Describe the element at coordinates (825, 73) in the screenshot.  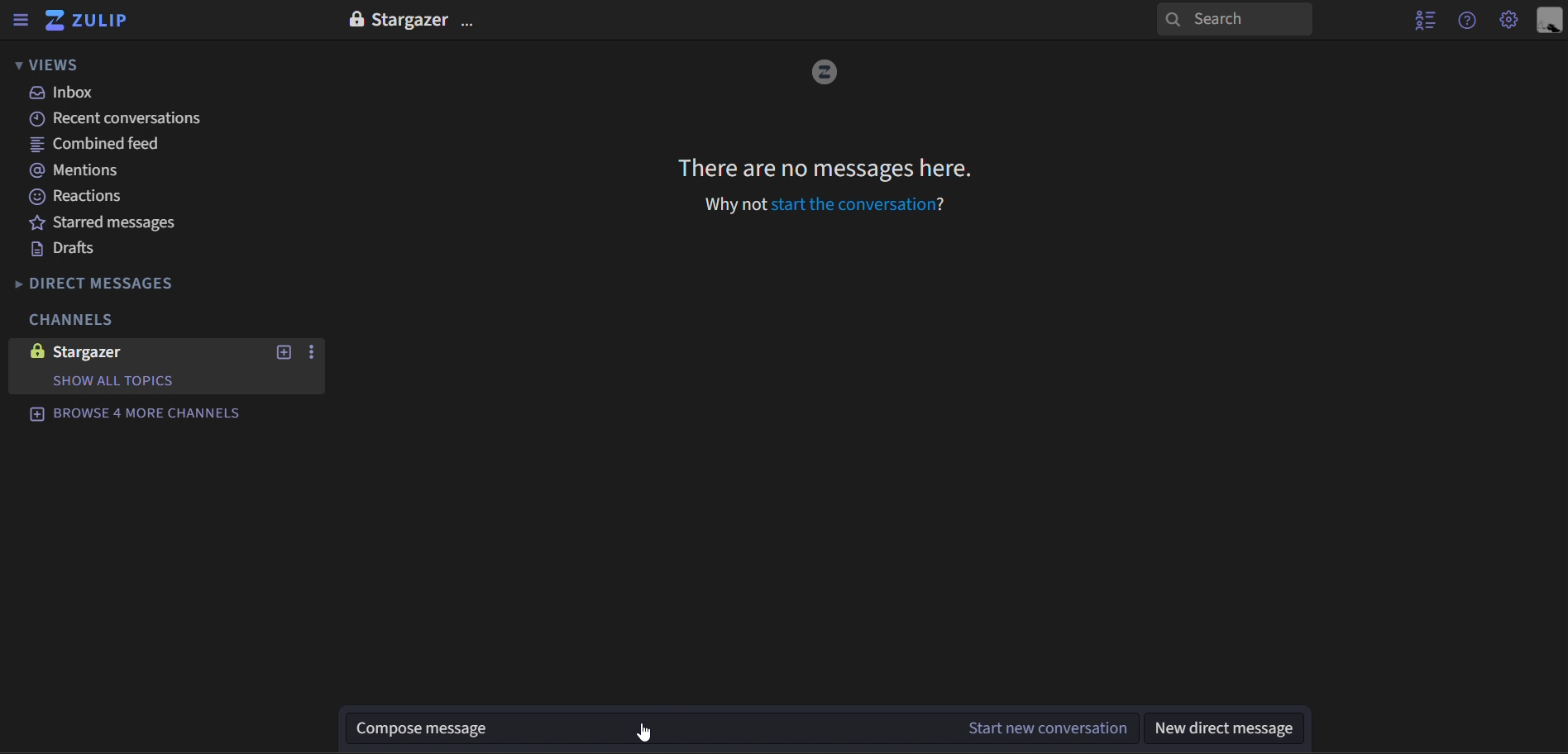
I see `image` at that location.